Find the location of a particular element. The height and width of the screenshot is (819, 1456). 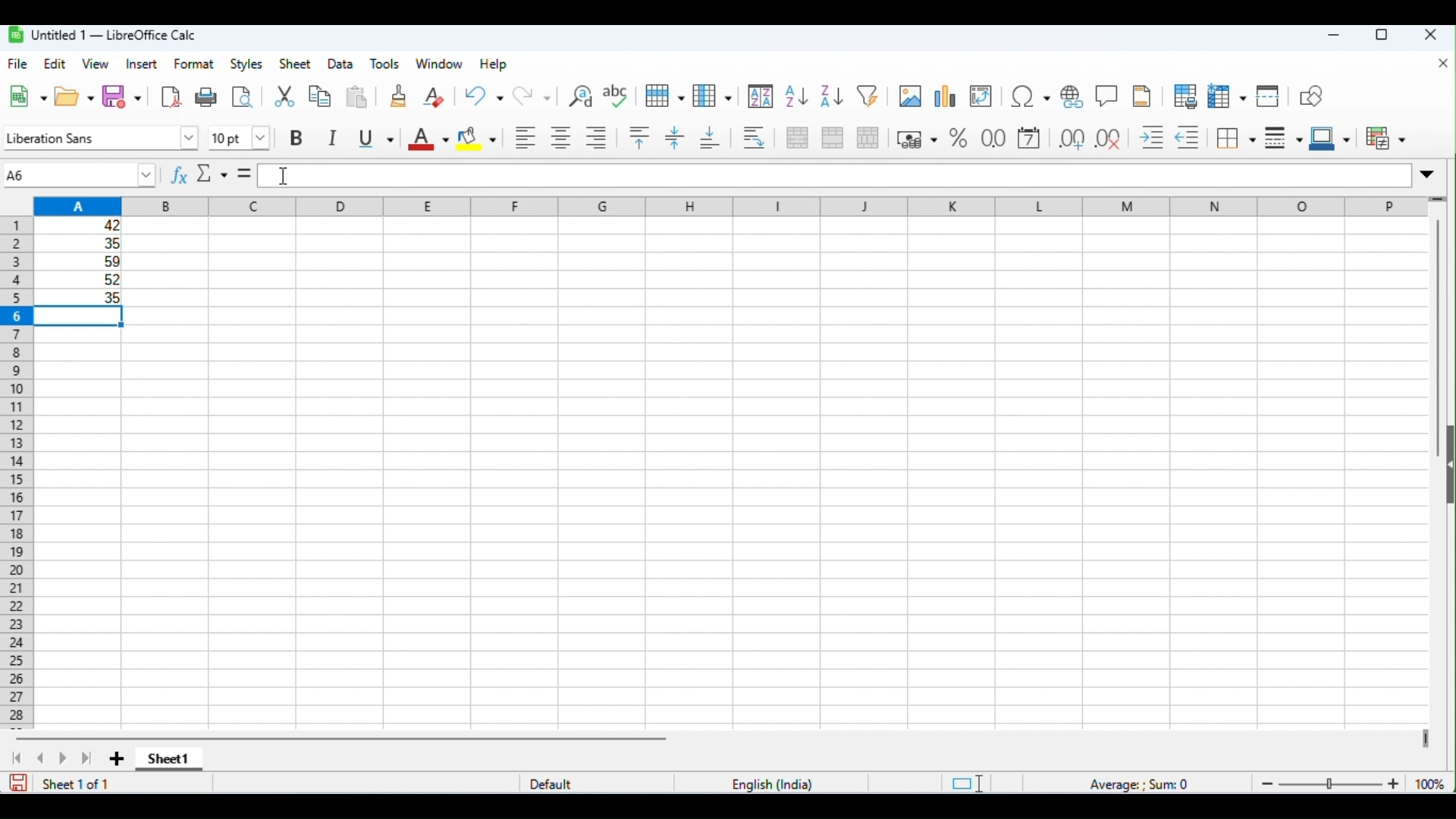

column is located at coordinates (711, 96).